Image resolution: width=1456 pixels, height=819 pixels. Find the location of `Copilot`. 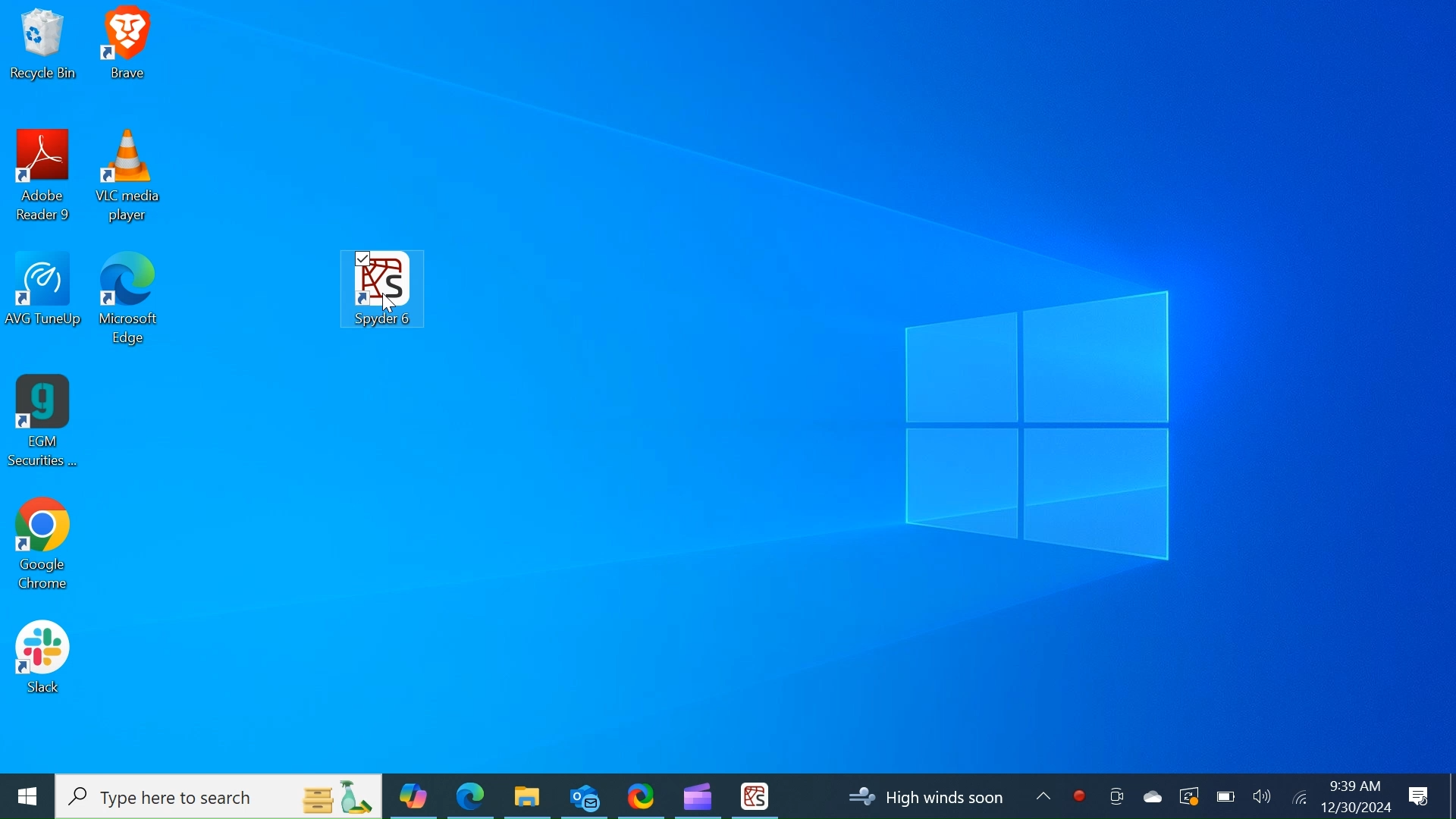

Copilot is located at coordinates (413, 795).